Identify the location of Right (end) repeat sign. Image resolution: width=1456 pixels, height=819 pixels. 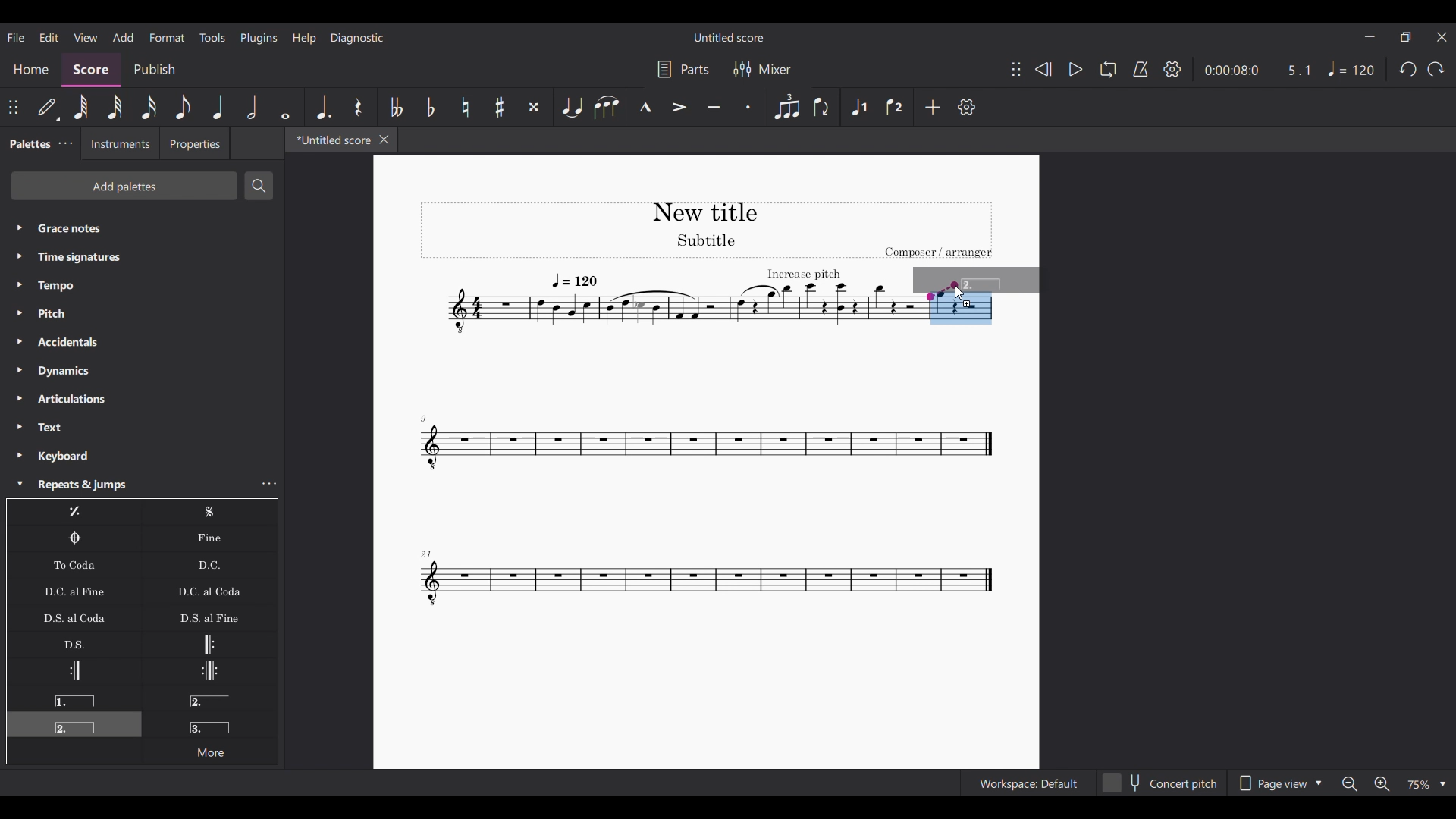
(74, 671).